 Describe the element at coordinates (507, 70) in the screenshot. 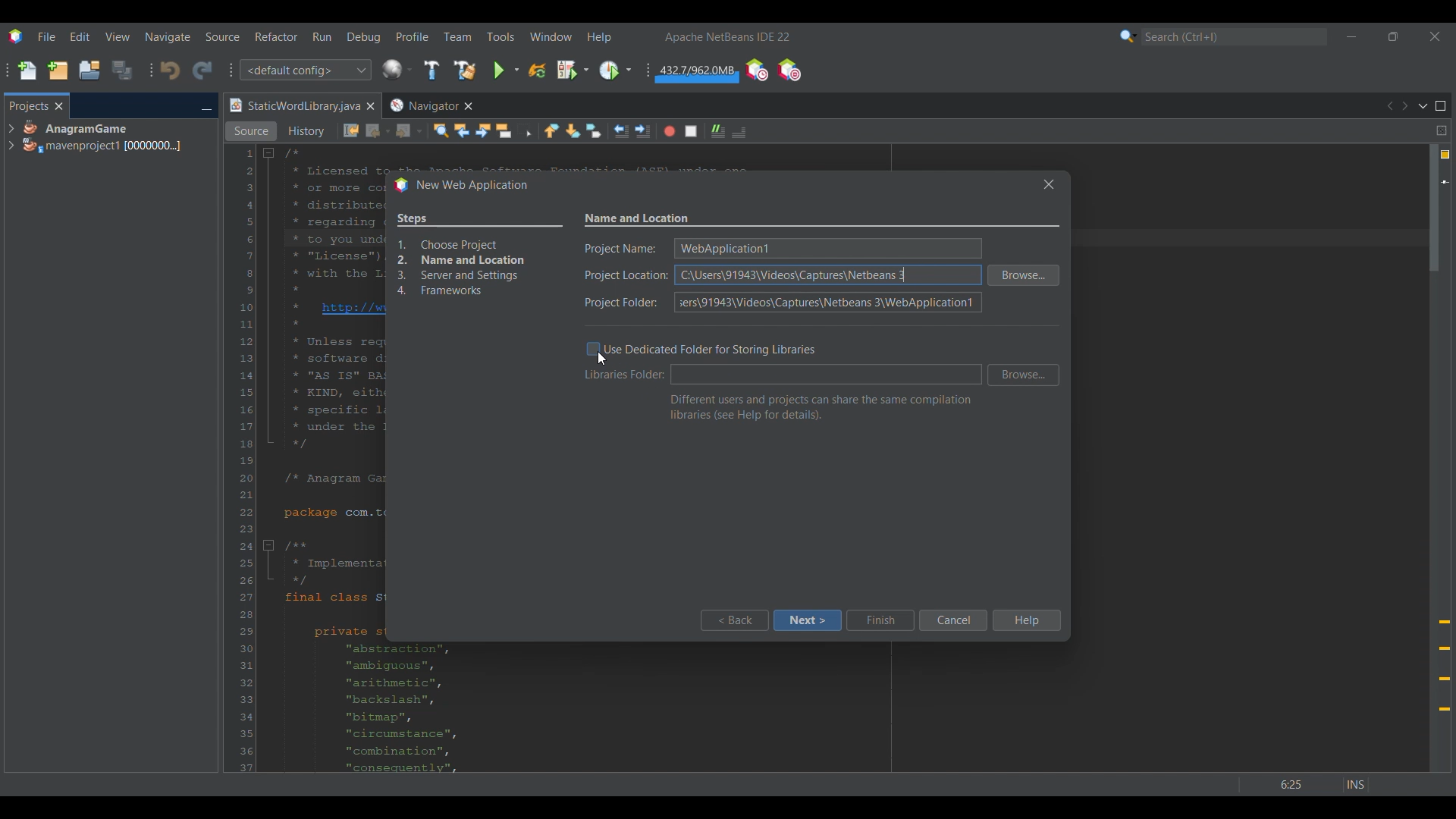

I see `Run main project options` at that location.